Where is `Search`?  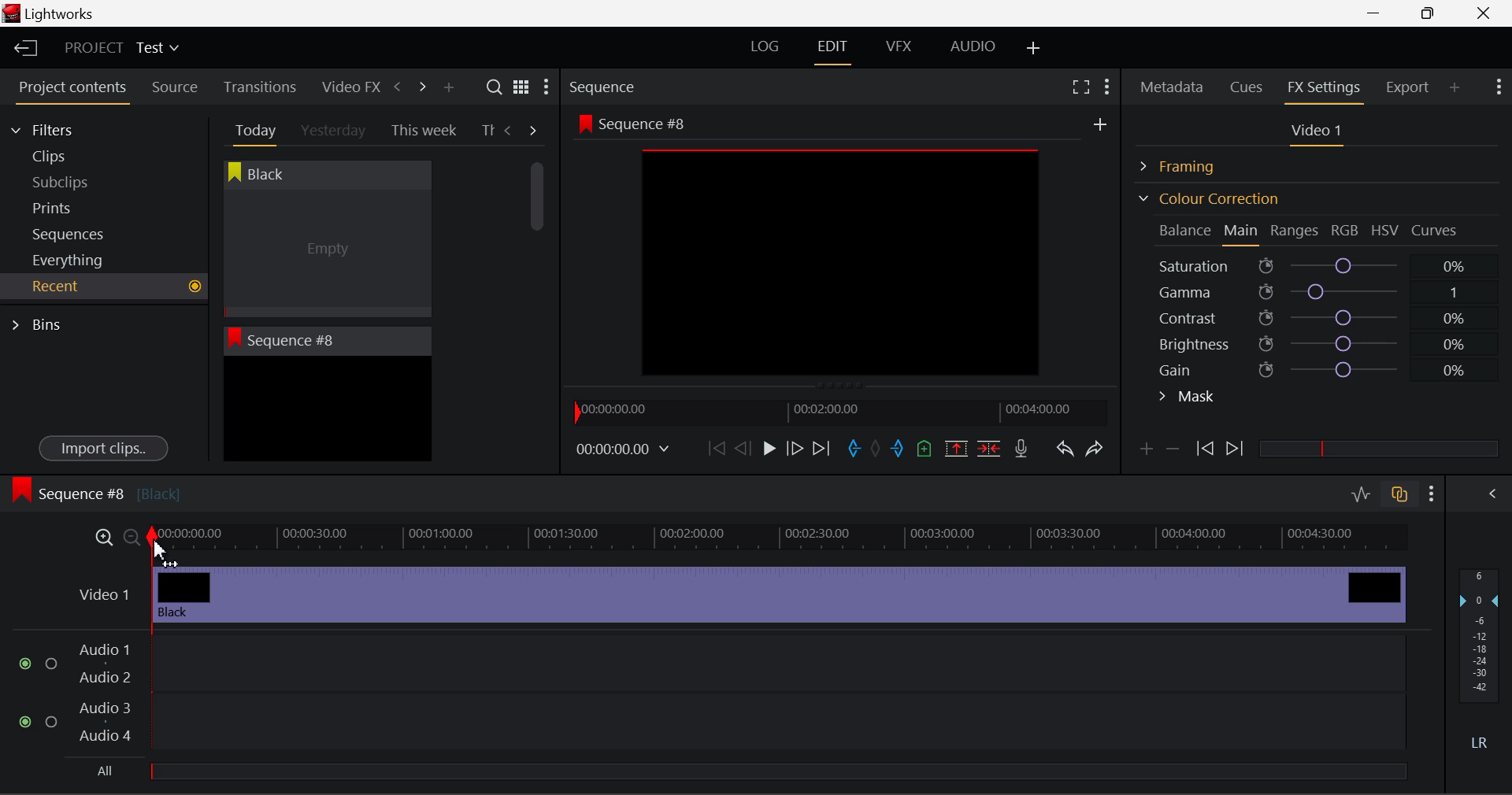 Search is located at coordinates (496, 87).